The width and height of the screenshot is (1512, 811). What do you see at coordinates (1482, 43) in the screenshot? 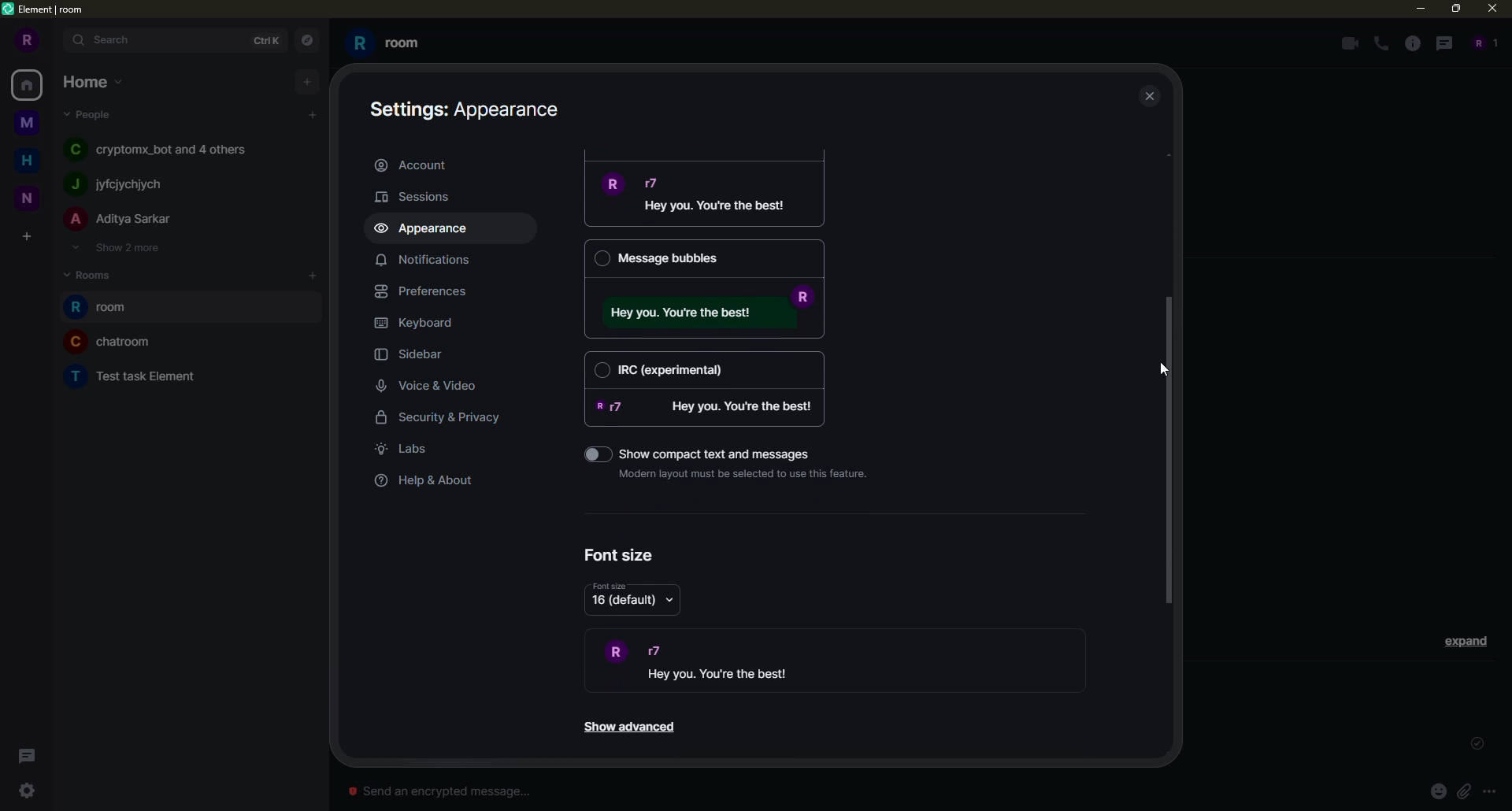
I see `people` at bounding box center [1482, 43].